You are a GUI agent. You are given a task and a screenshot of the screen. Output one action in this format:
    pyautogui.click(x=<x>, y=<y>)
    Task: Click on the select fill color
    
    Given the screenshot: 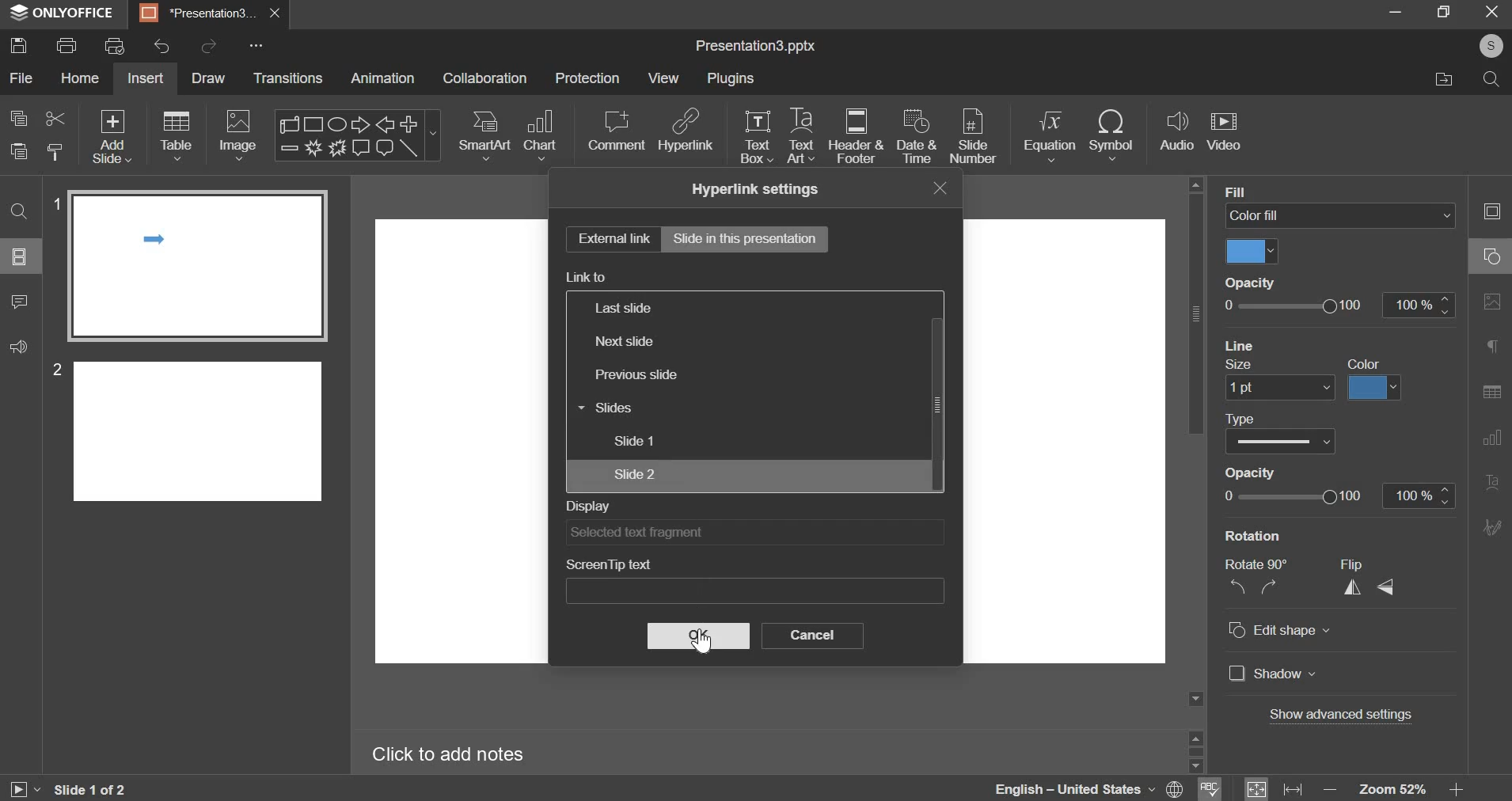 What is the action you would take?
    pyautogui.click(x=1252, y=252)
    